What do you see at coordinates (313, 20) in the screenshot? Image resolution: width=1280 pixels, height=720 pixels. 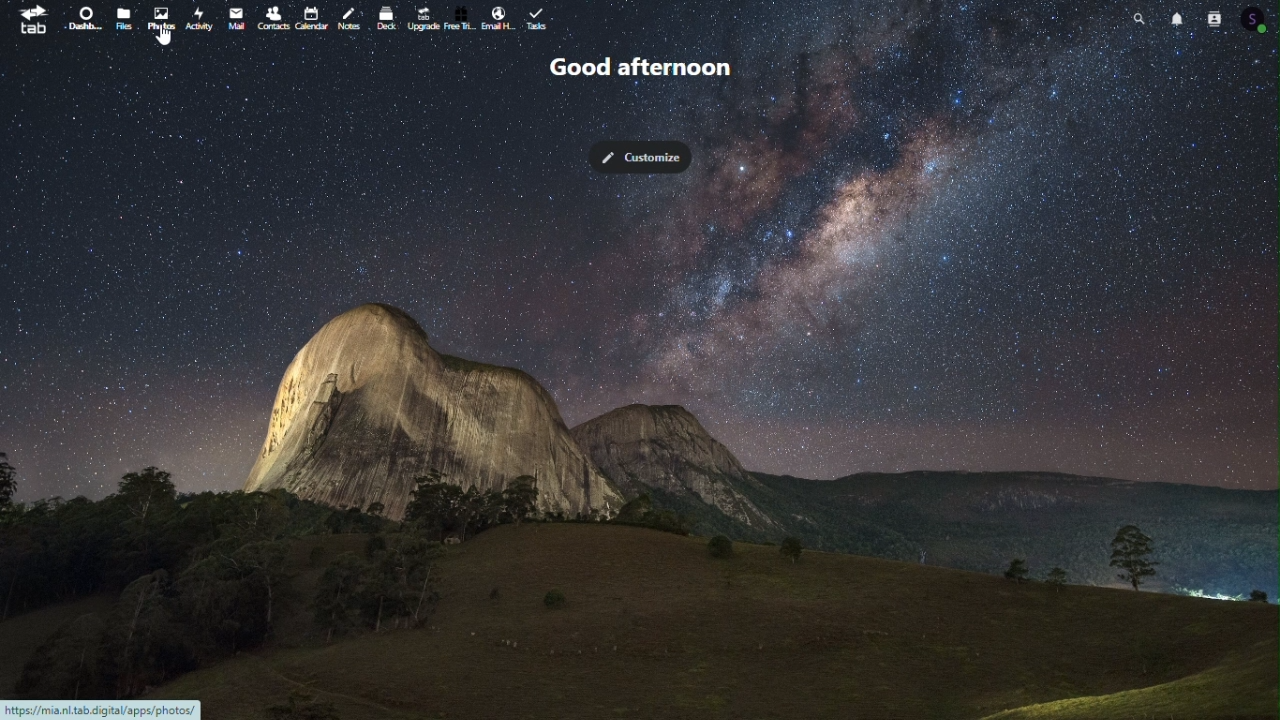 I see `calendar` at bounding box center [313, 20].